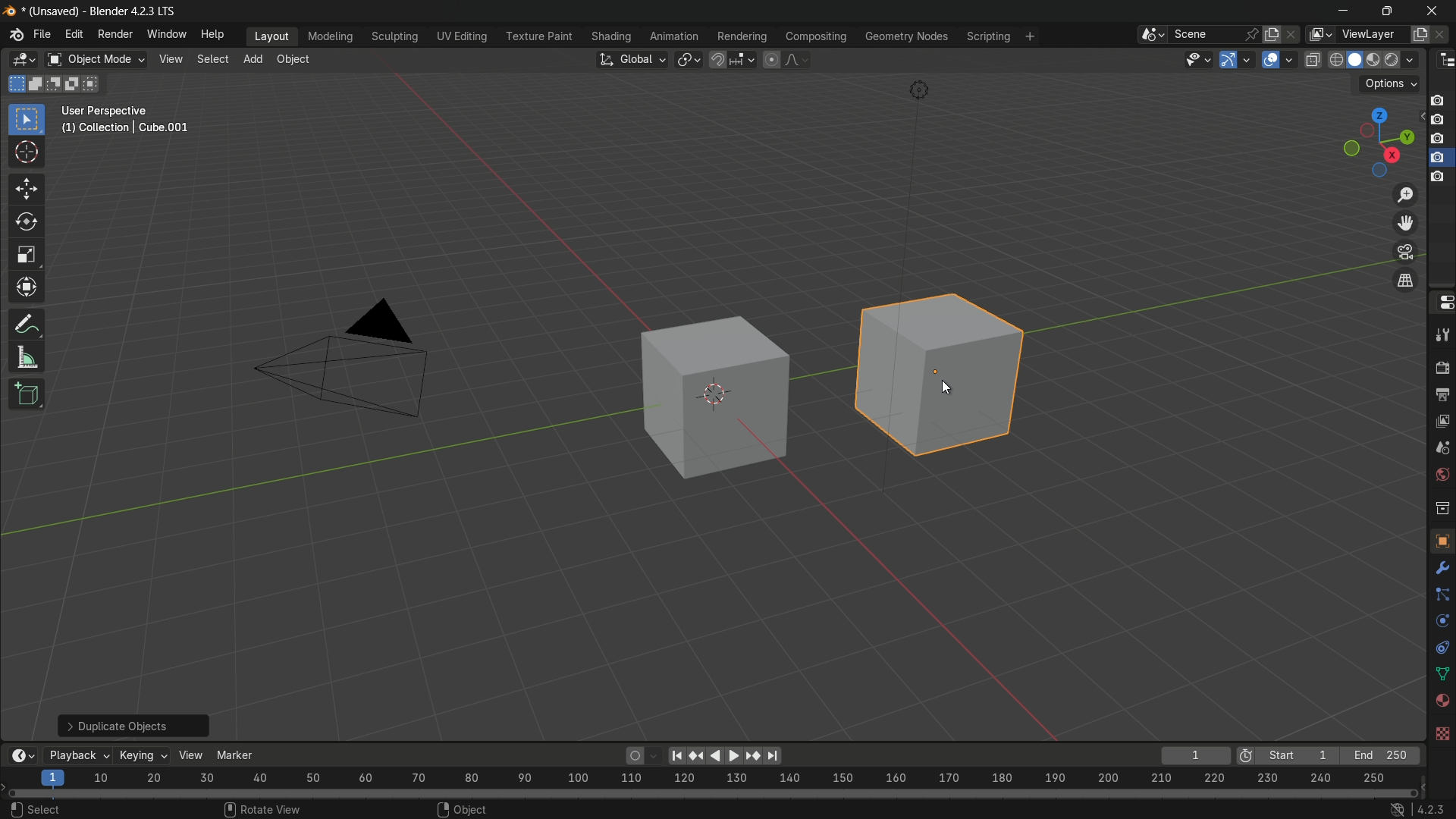 This screenshot has width=1456, height=819. Describe the element at coordinates (1196, 755) in the screenshot. I see `current keyframe` at that location.